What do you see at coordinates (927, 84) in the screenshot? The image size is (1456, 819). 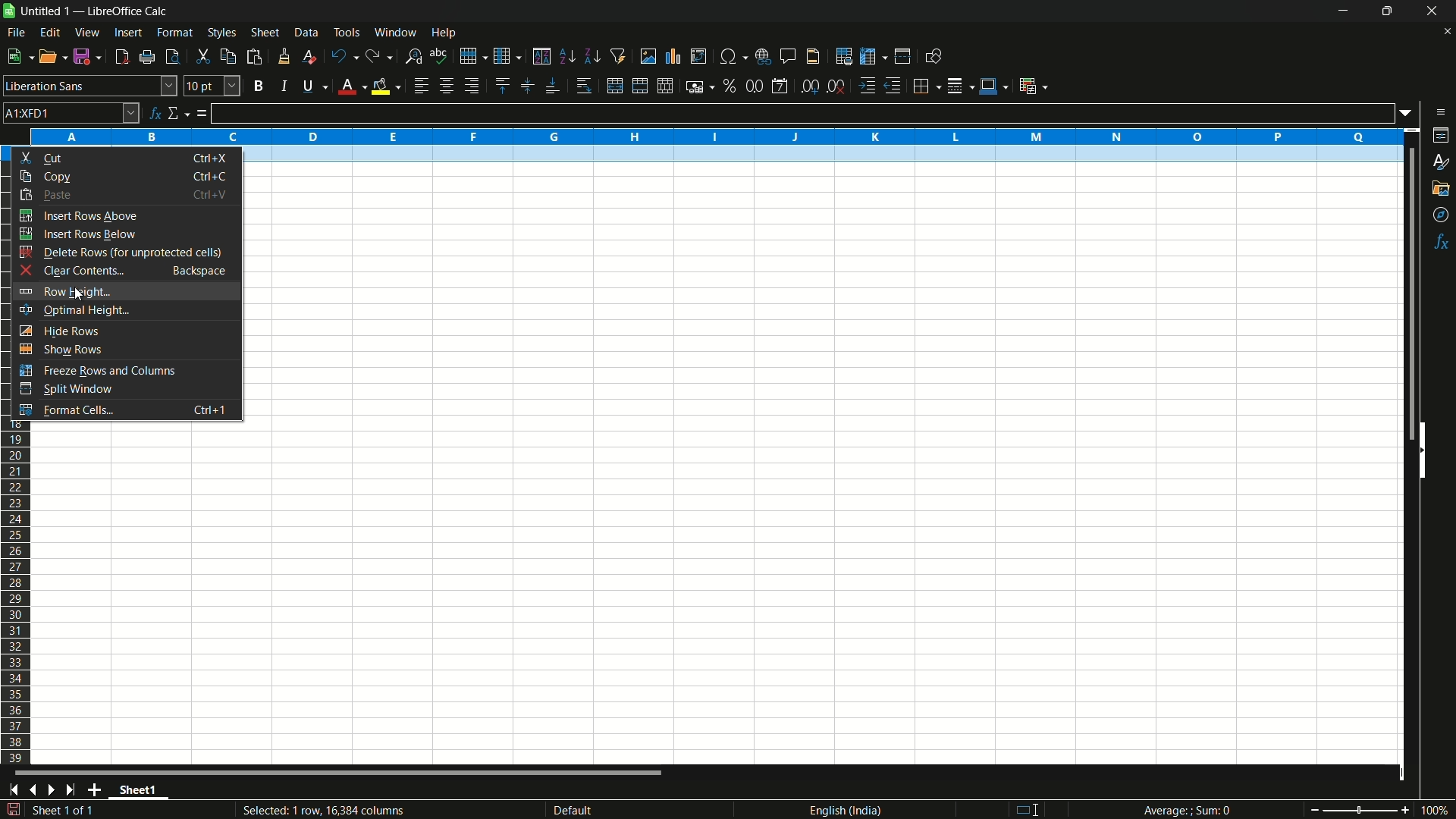 I see `borders` at bounding box center [927, 84].